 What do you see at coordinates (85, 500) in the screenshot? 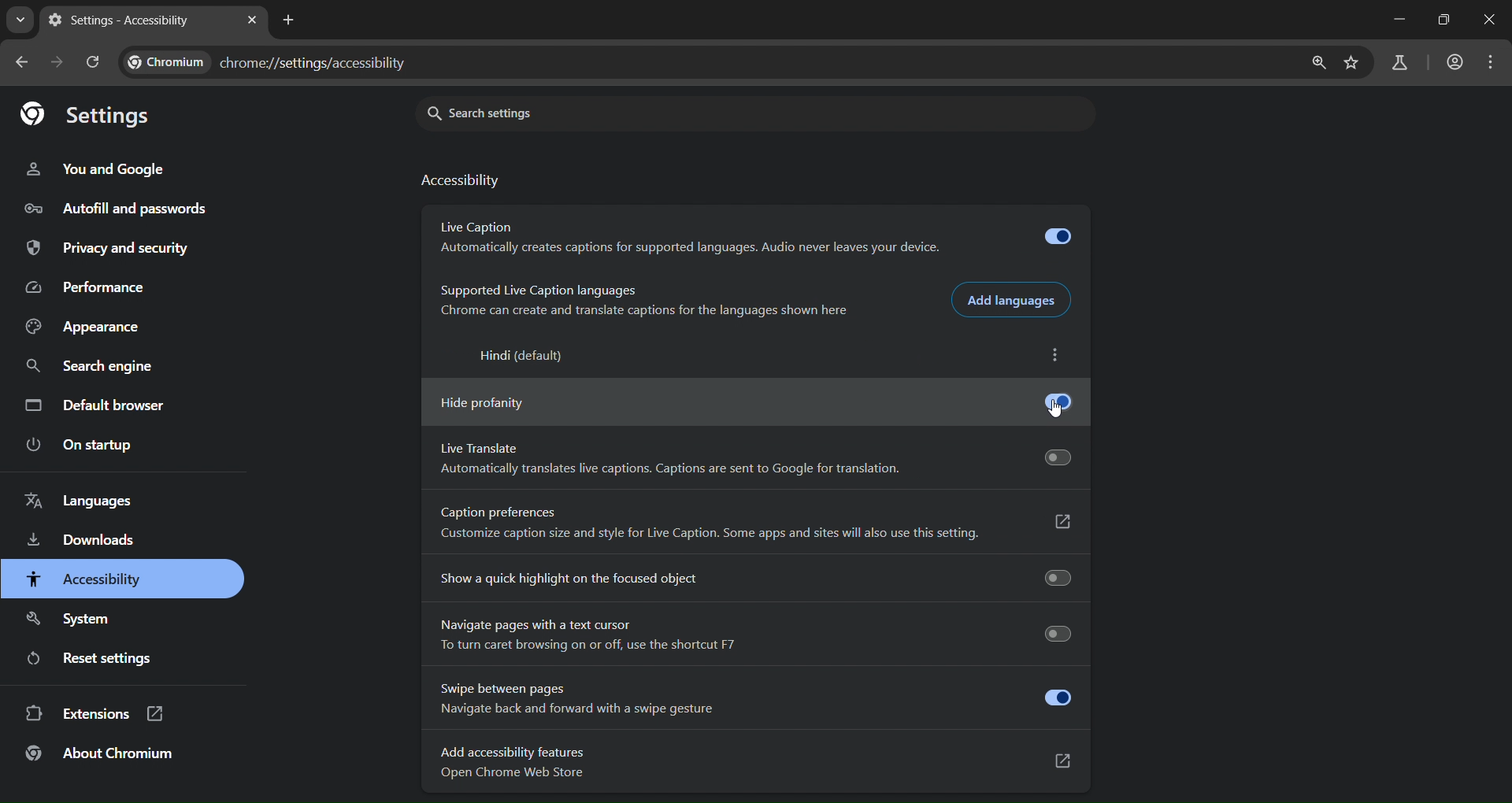
I see `languages` at bounding box center [85, 500].